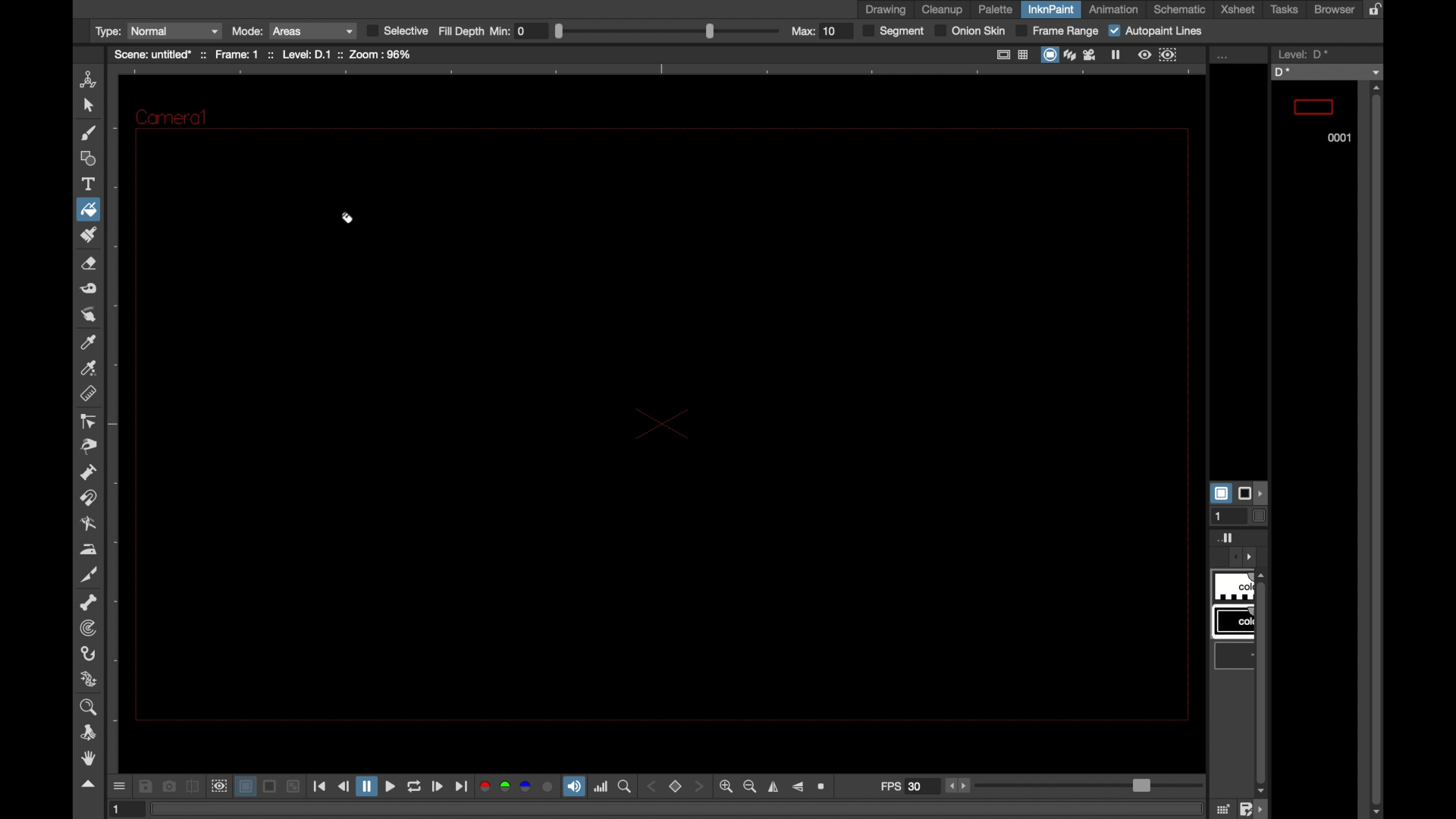 This screenshot has height=819, width=1456. I want to click on vertical scrollbar, so click(1377, 451).